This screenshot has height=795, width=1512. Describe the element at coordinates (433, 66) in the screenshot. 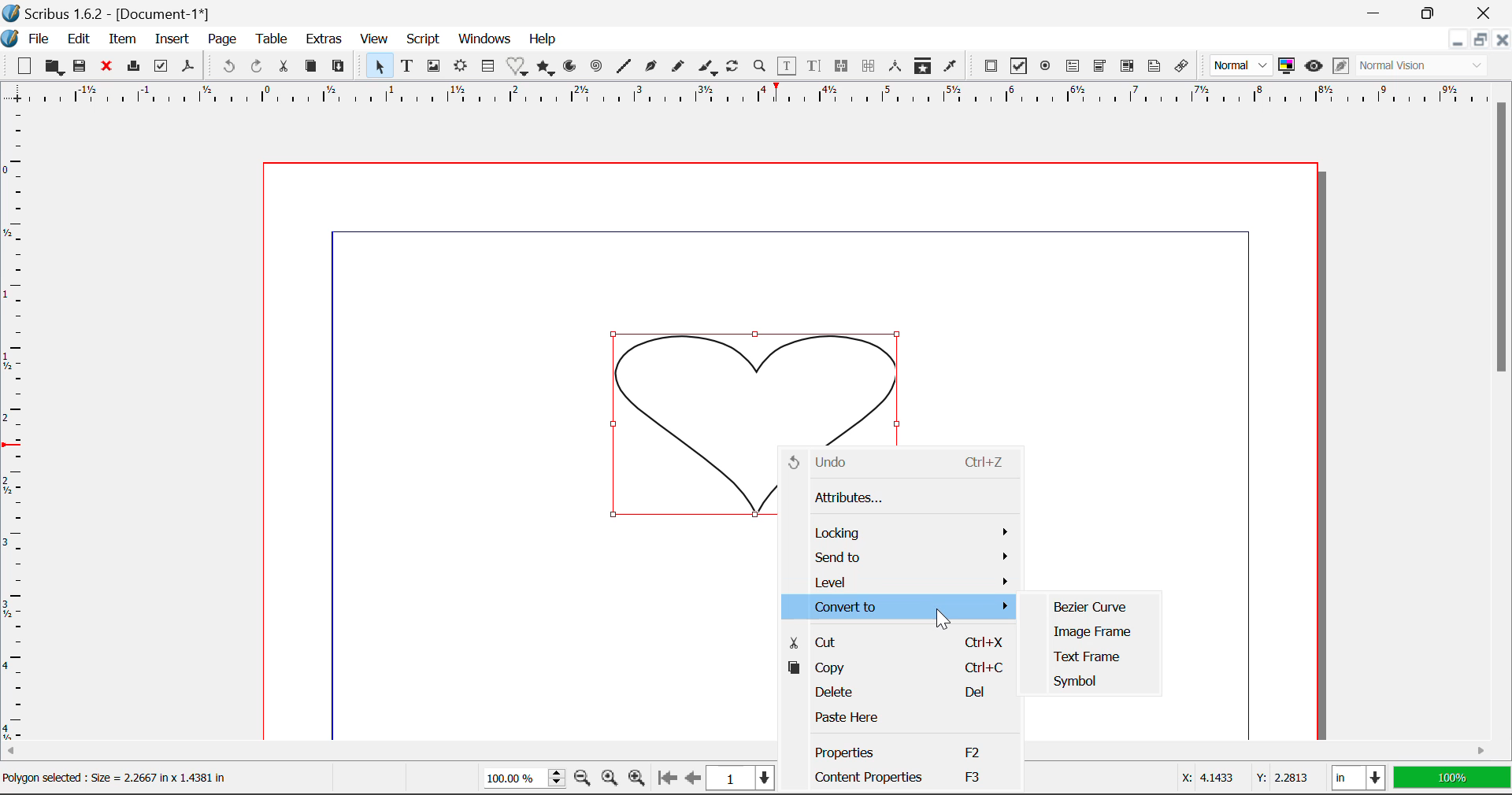

I see `Image Frames` at that location.